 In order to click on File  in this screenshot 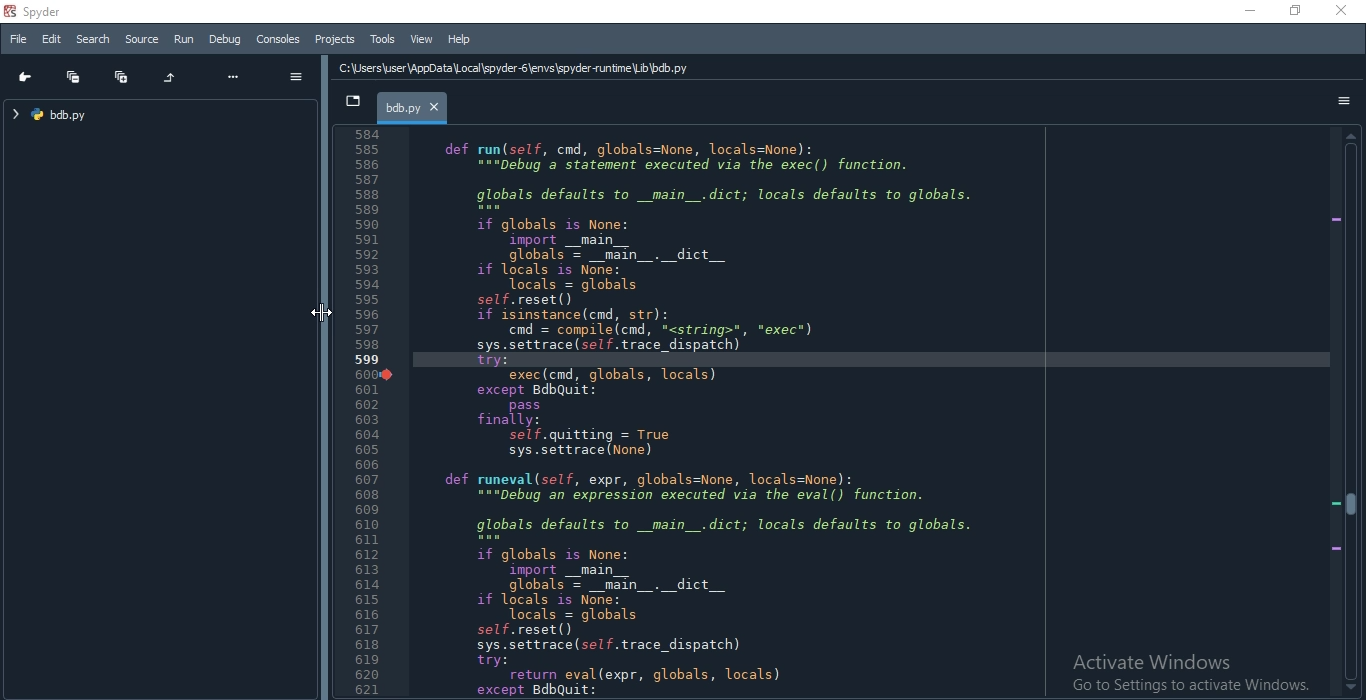, I will do `click(19, 41)`.